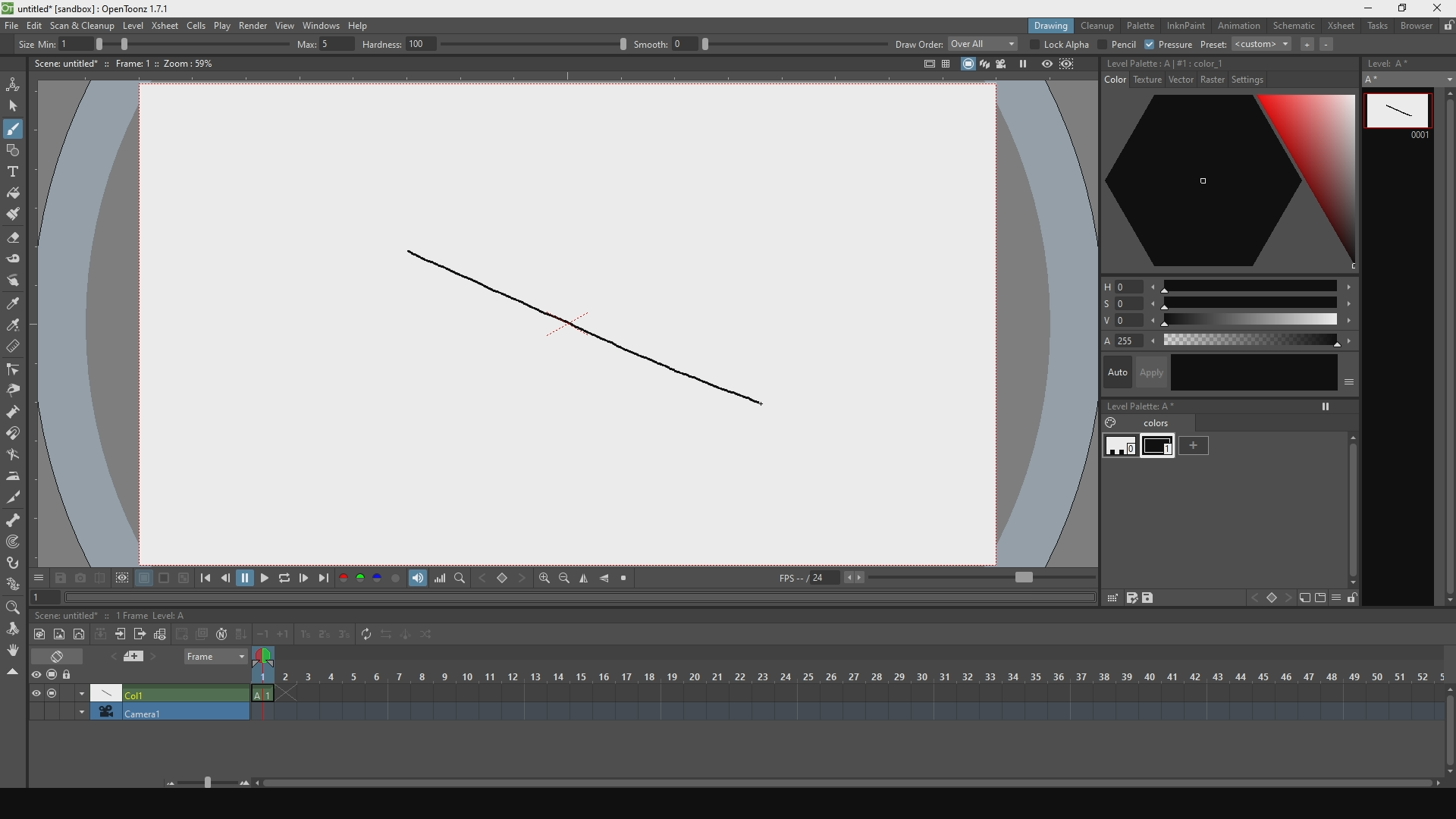 The image size is (1456, 819). I want to click on color , so click(1232, 342).